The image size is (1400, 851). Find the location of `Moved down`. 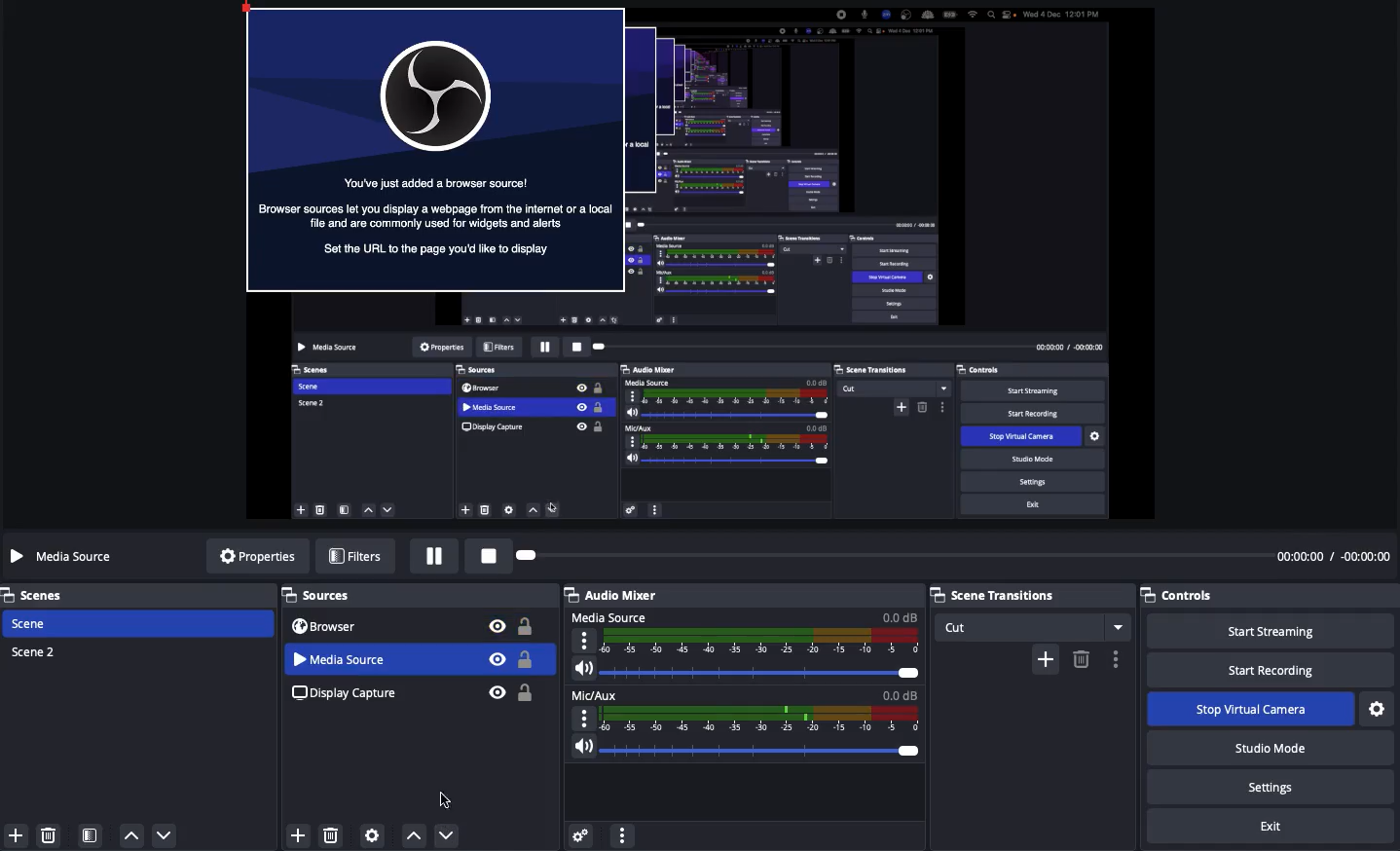

Moved down is located at coordinates (449, 797).